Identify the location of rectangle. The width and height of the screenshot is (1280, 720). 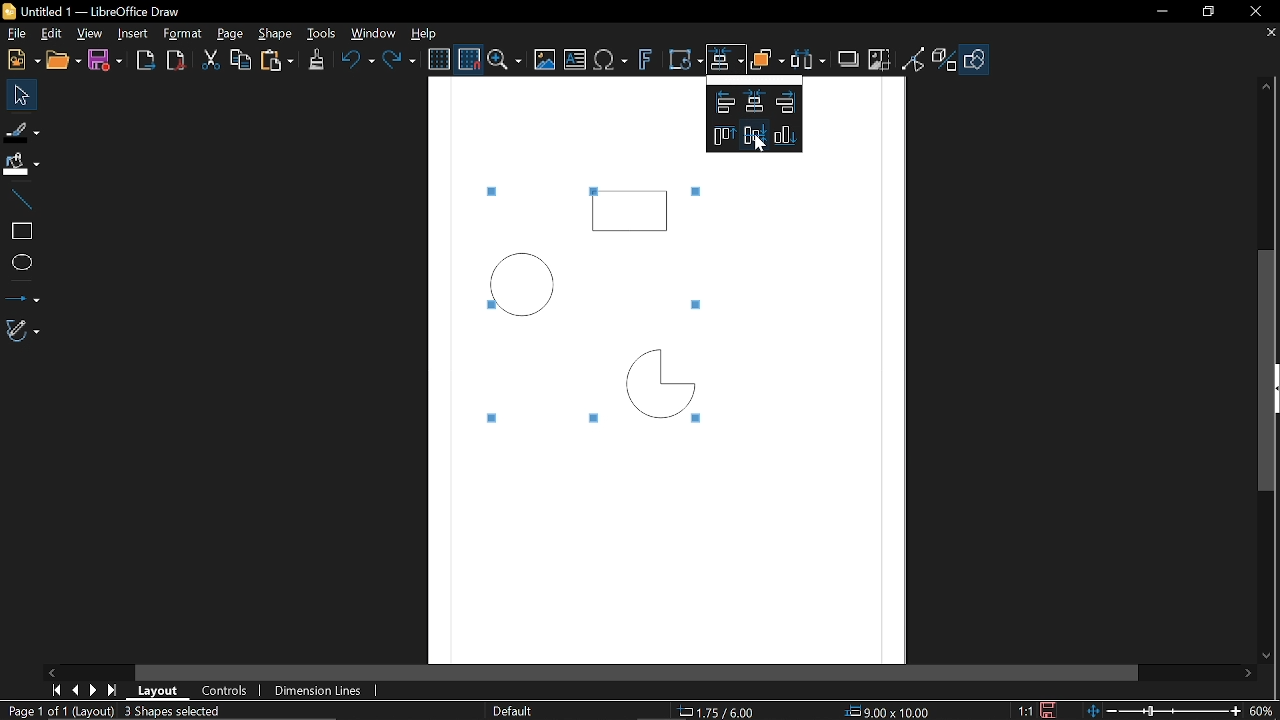
(18, 228).